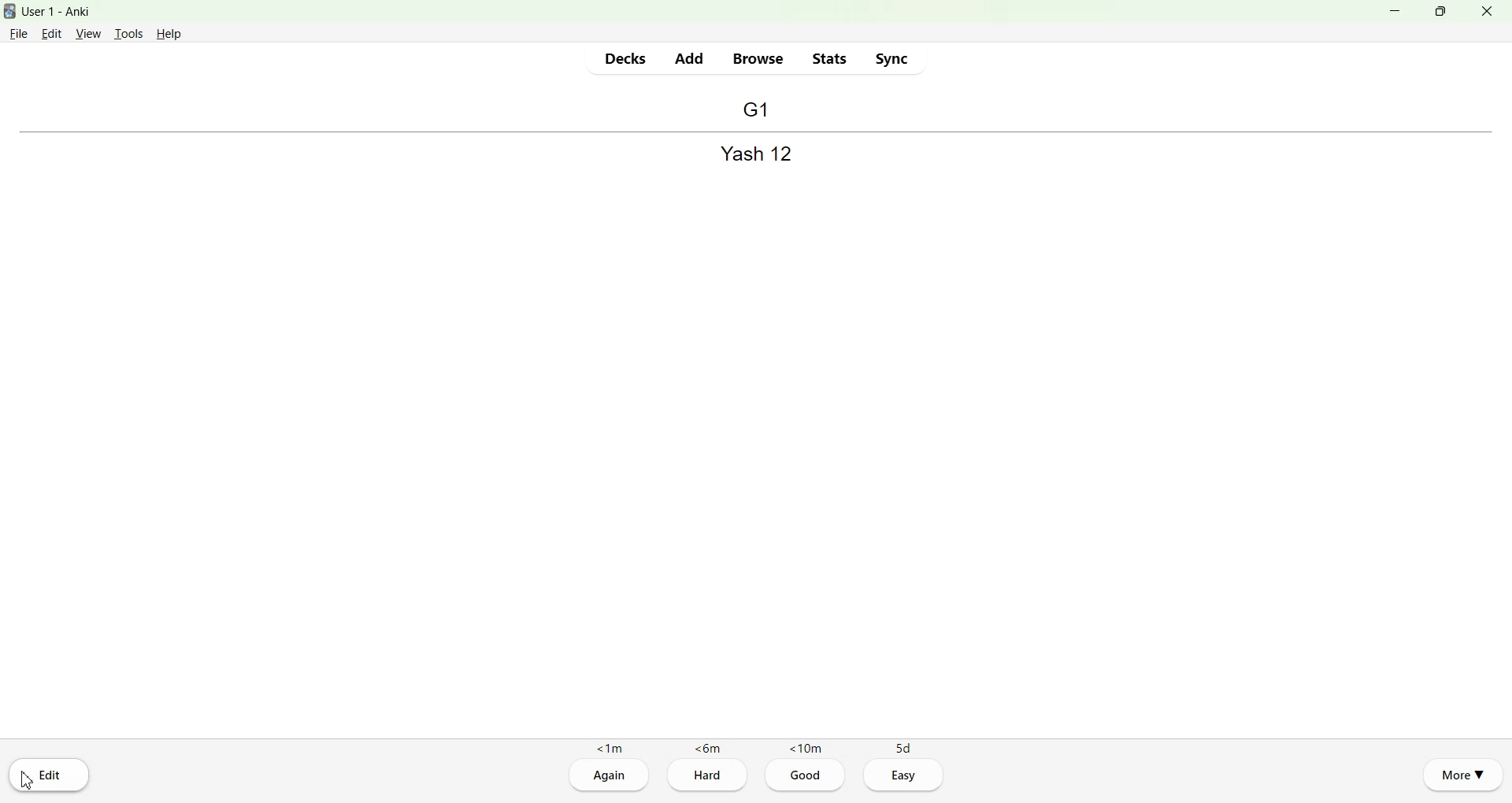  Describe the element at coordinates (626, 58) in the screenshot. I see `Decks` at that location.